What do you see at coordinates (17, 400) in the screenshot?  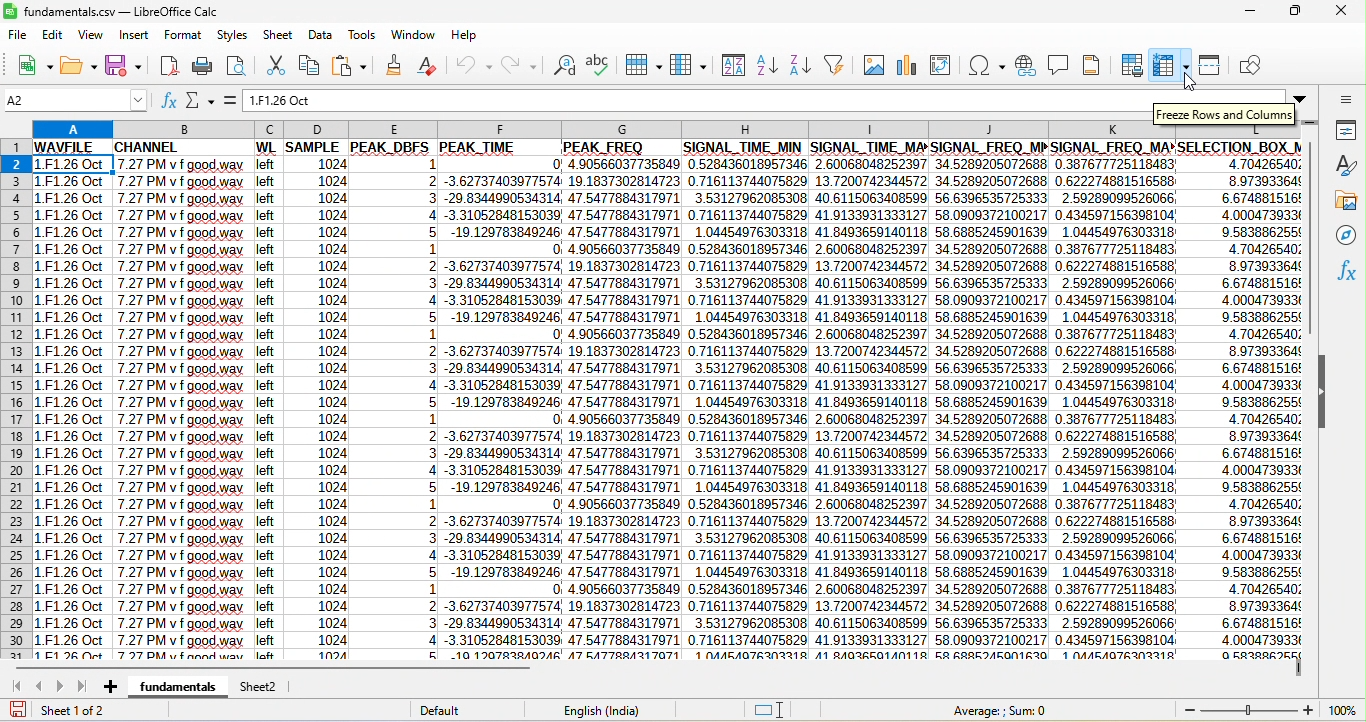 I see `rows` at bounding box center [17, 400].